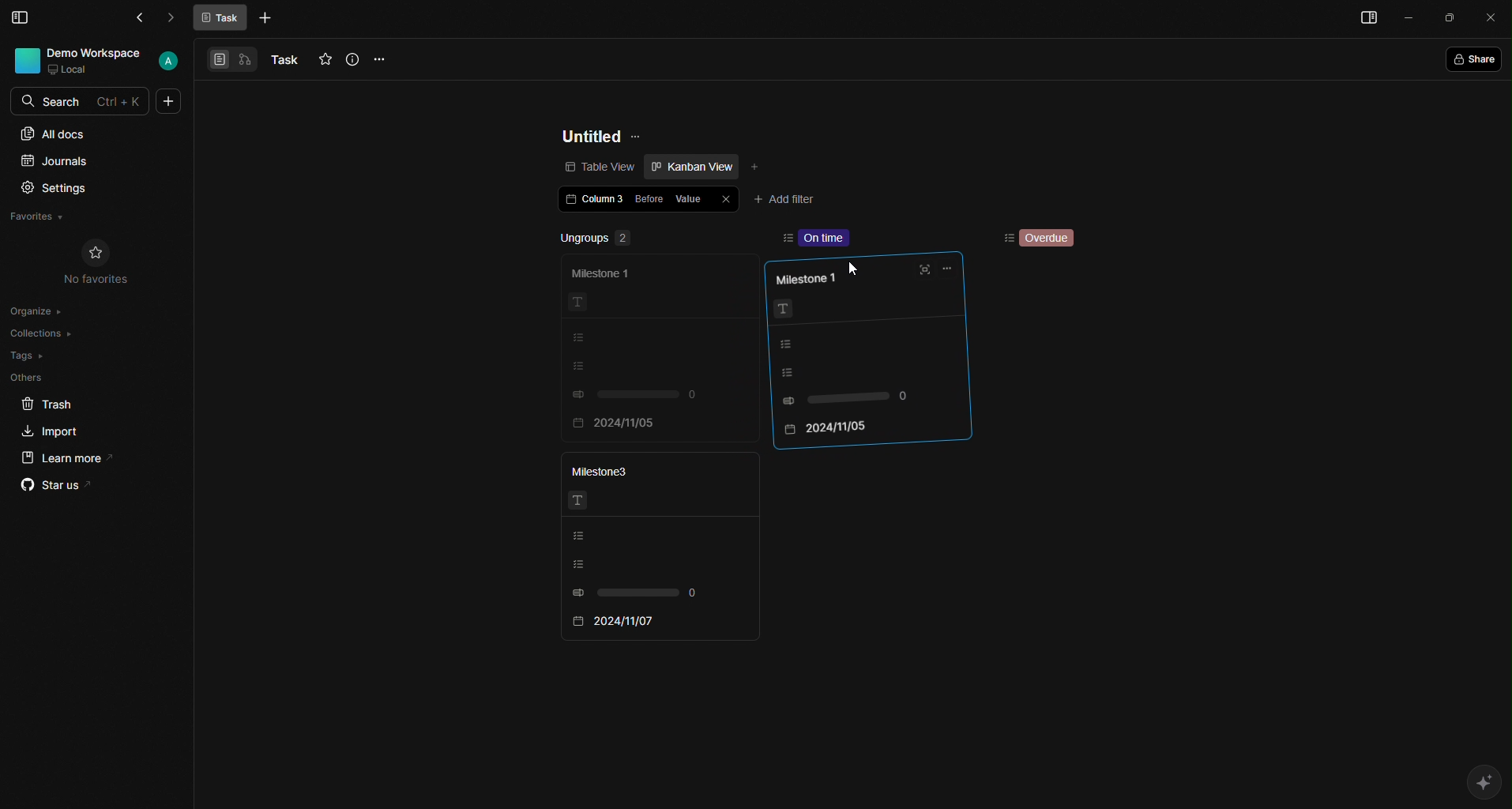  What do you see at coordinates (806, 277) in the screenshot?
I see `Milestone 1` at bounding box center [806, 277].